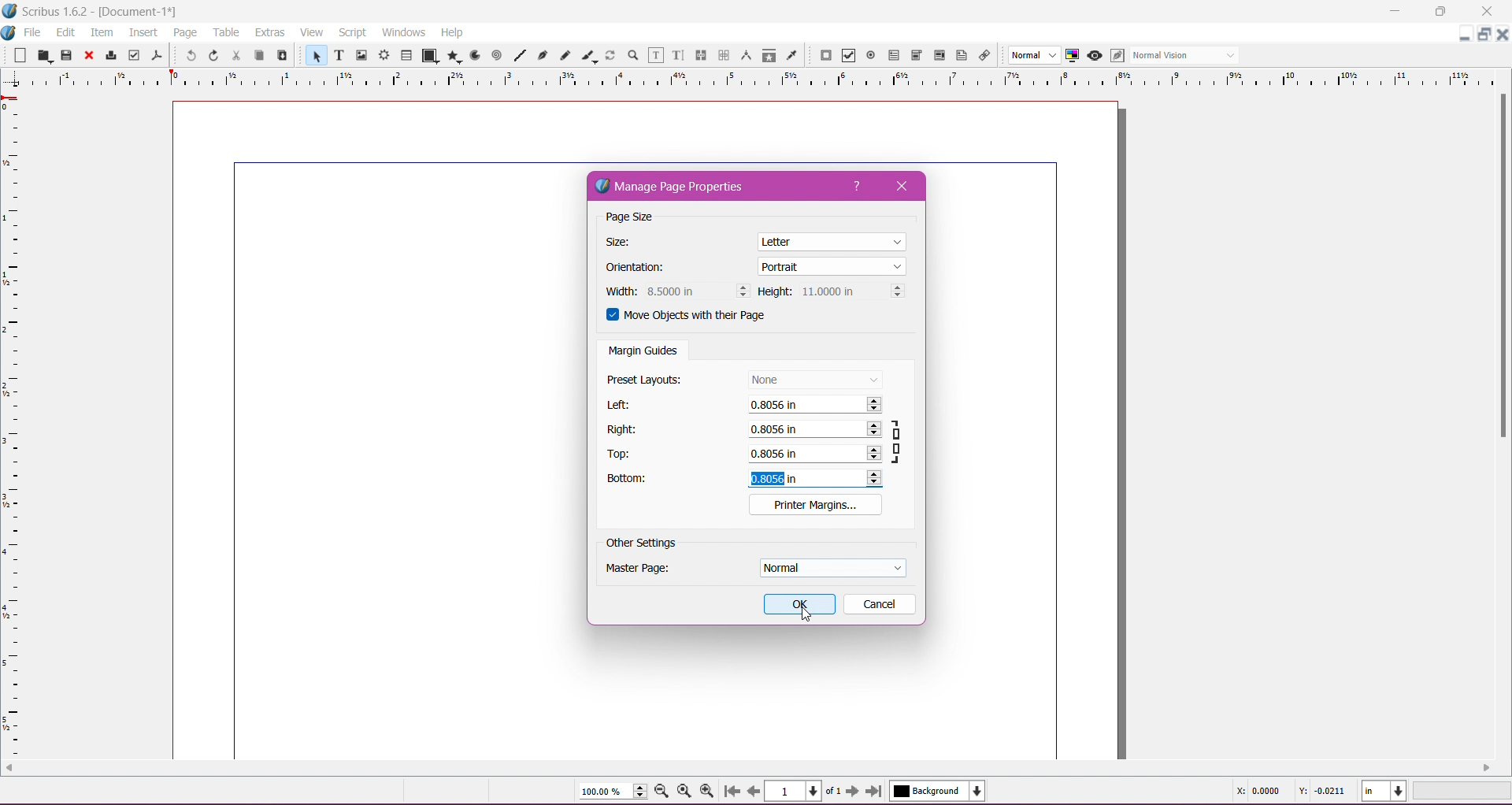 The width and height of the screenshot is (1512, 805). I want to click on Set Width of page, so click(697, 291).